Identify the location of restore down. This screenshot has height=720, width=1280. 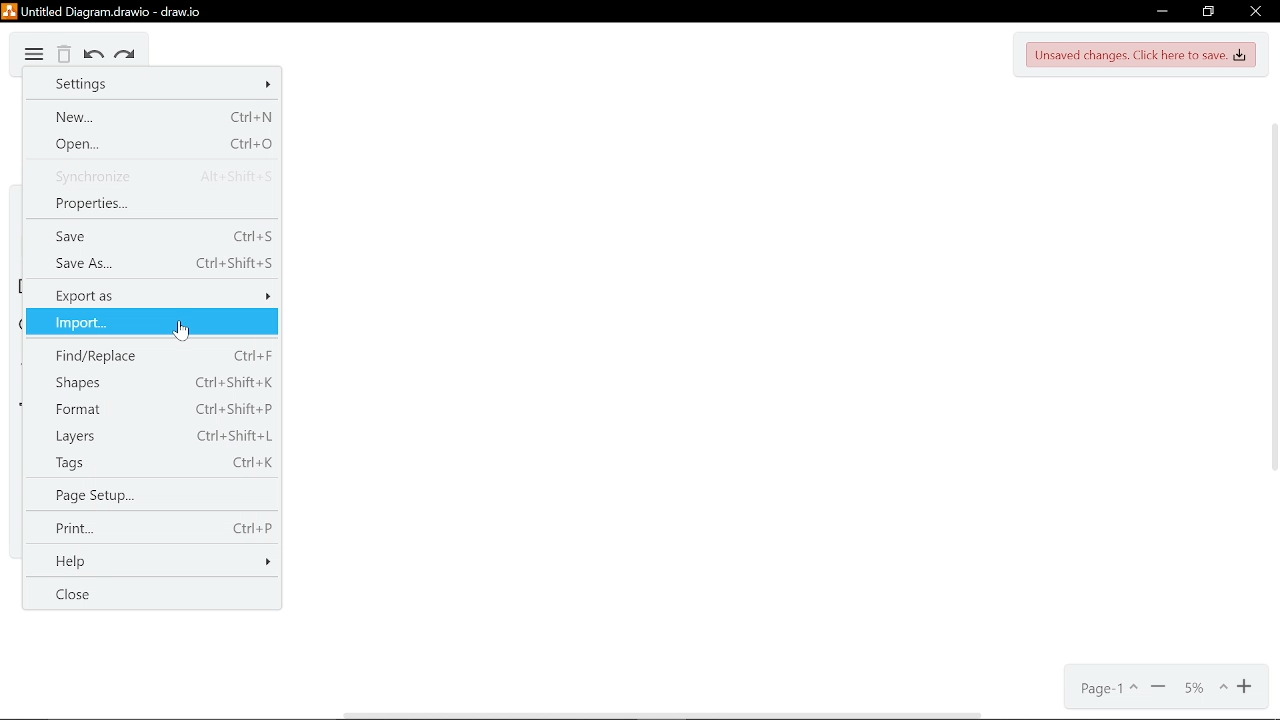
(1209, 12).